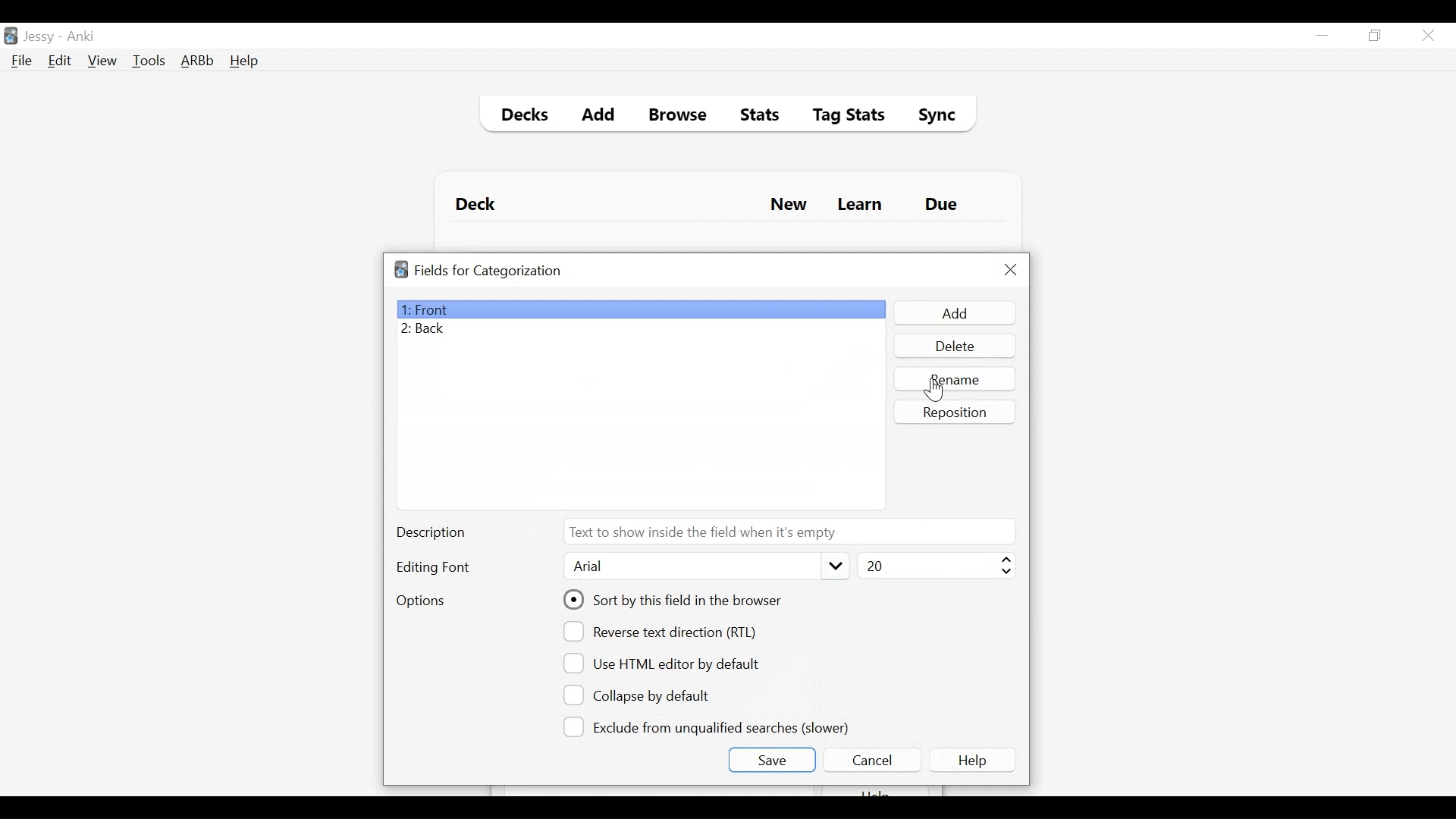 The width and height of the screenshot is (1456, 819). Describe the element at coordinates (931, 117) in the screenshot. I see `Sybc` at that location.